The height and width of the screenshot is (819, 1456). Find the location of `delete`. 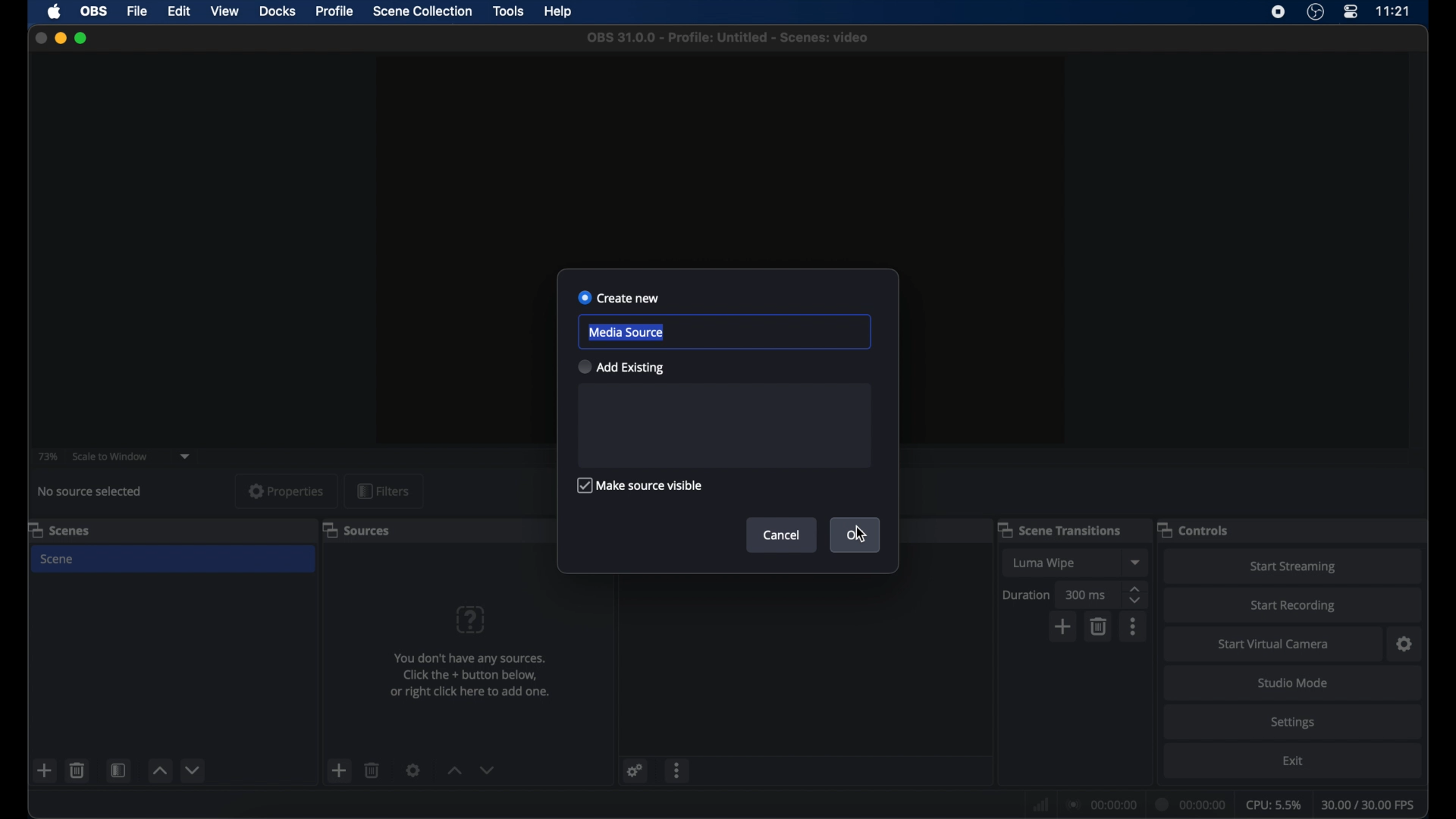

delete is located at coordinates (1100, 626).